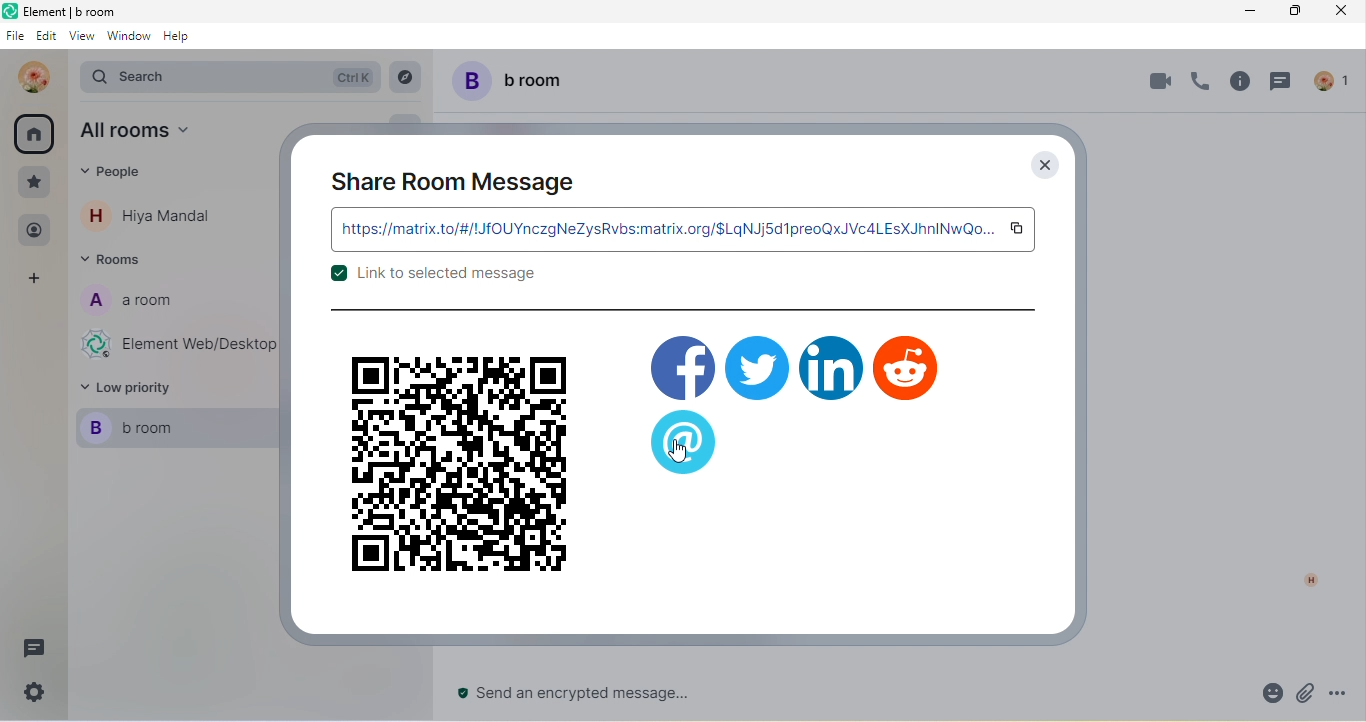 This screenshot has height=722, width=1366. Describe the element at coordinates (47, 38) in the screenshot. I see `edit` at that location.